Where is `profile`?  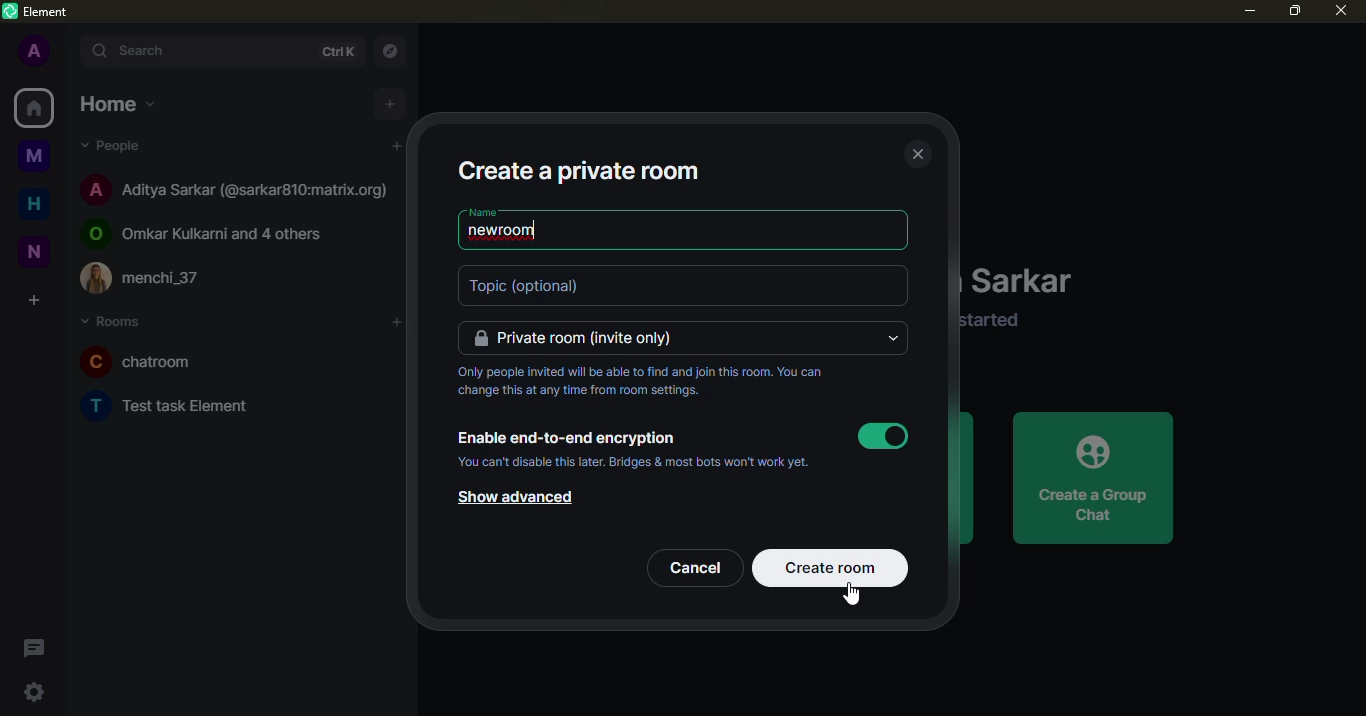 profile is located at coordinates (37, 53).